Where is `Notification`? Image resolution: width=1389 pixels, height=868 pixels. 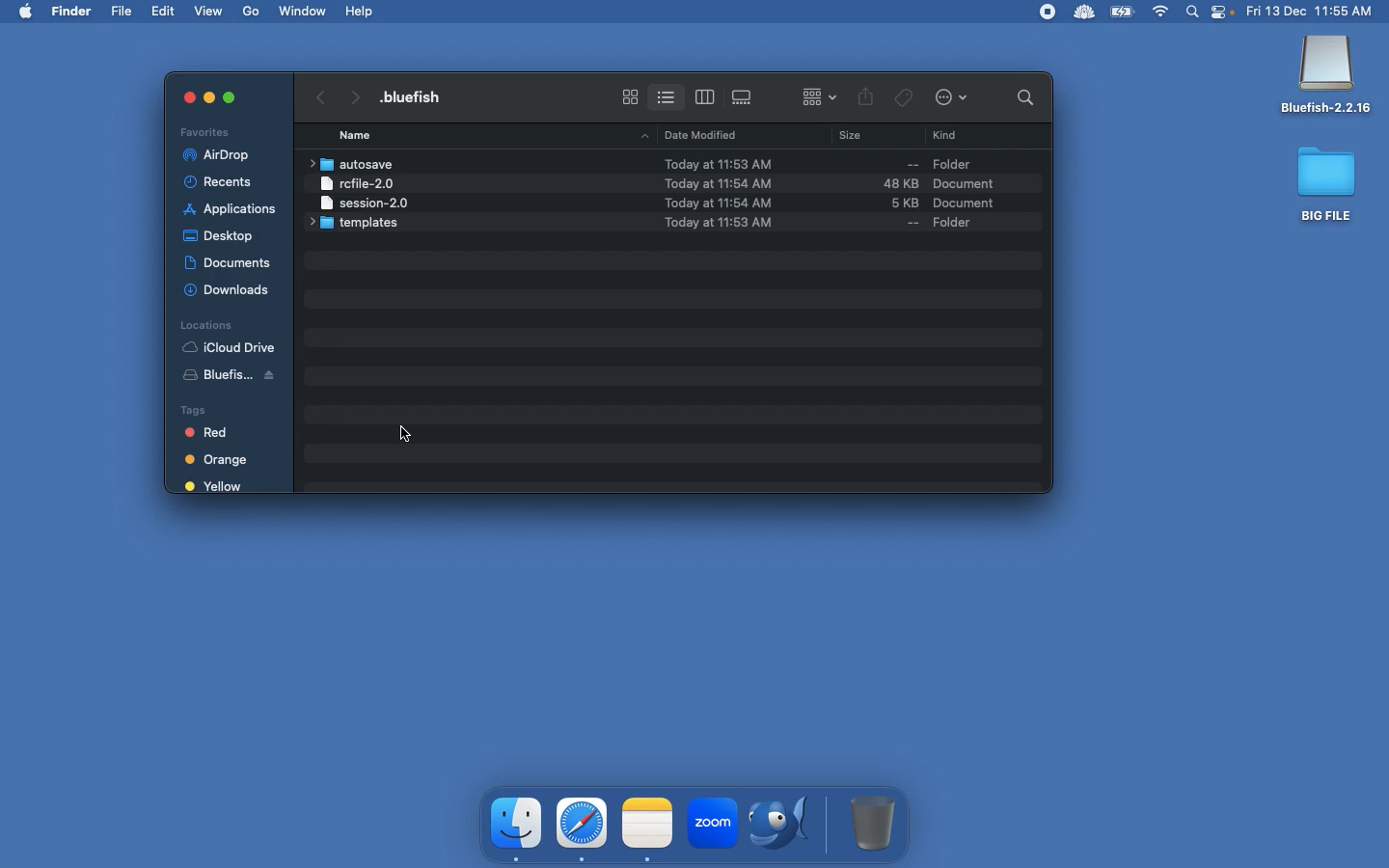 Notification is located at coordinates (1224, 14).